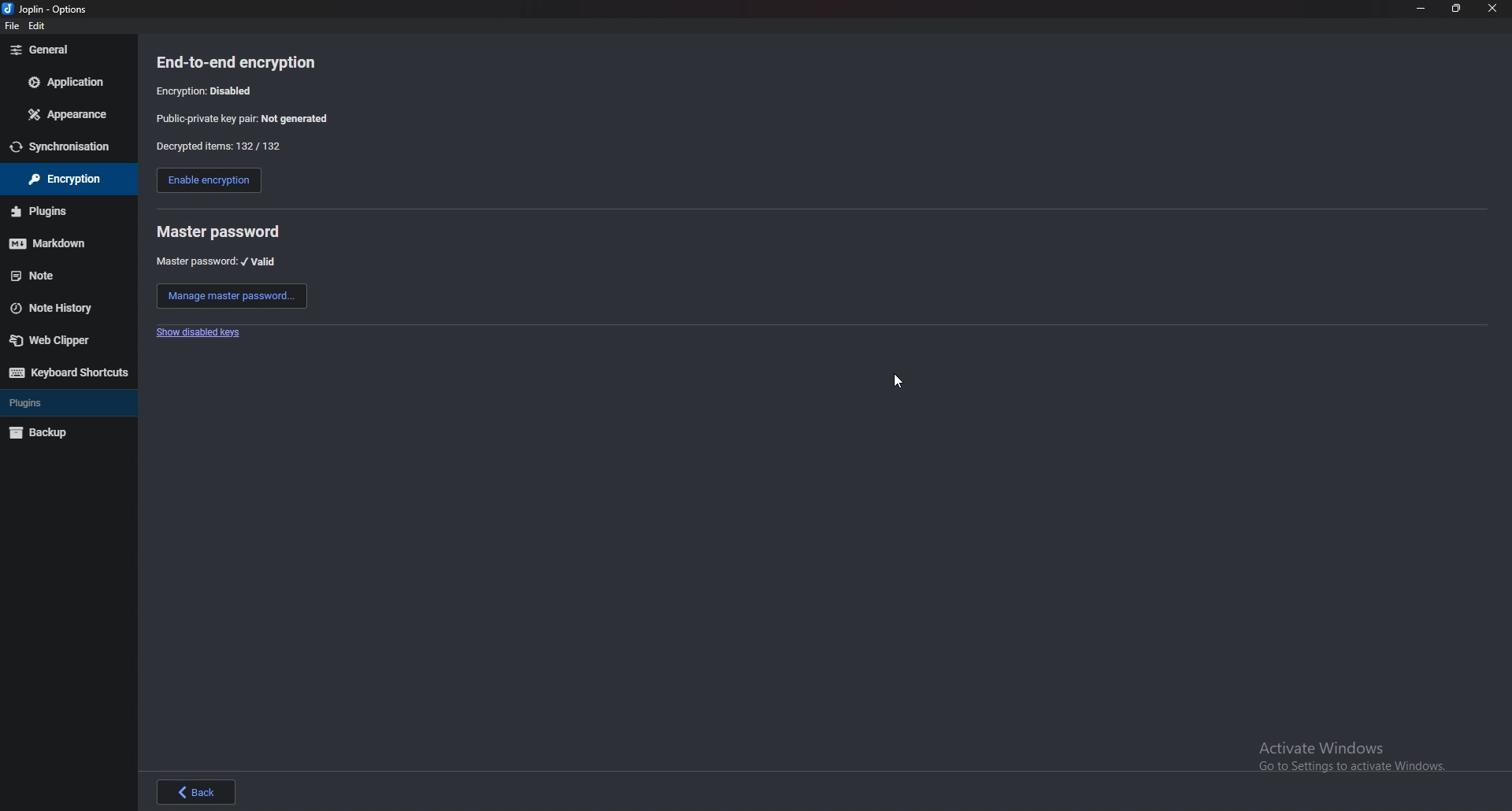  I want to click on note, so click(63, 276).